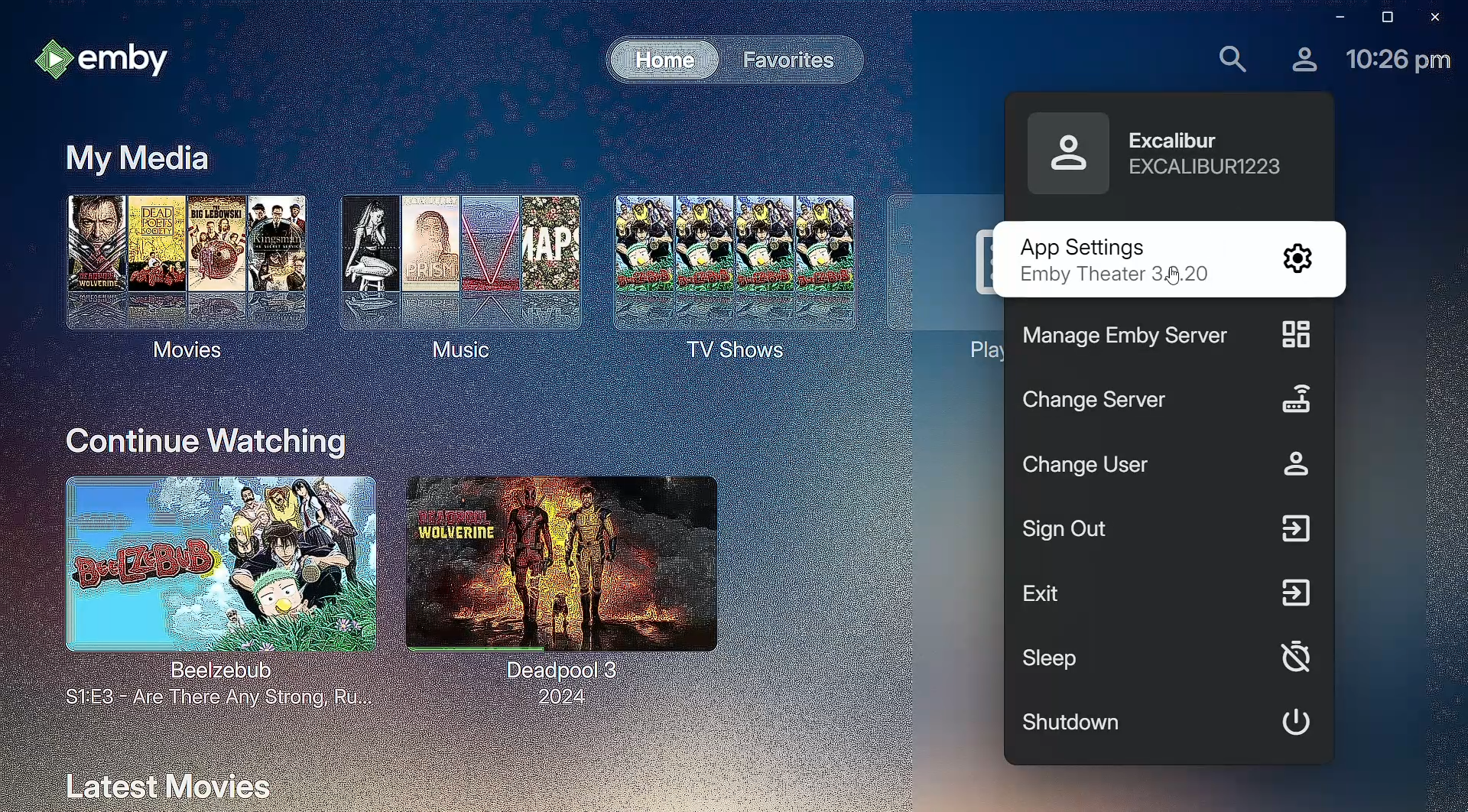  Describe the element at coordinates (451, 274) in the screenshot. I see `Music` at that location.